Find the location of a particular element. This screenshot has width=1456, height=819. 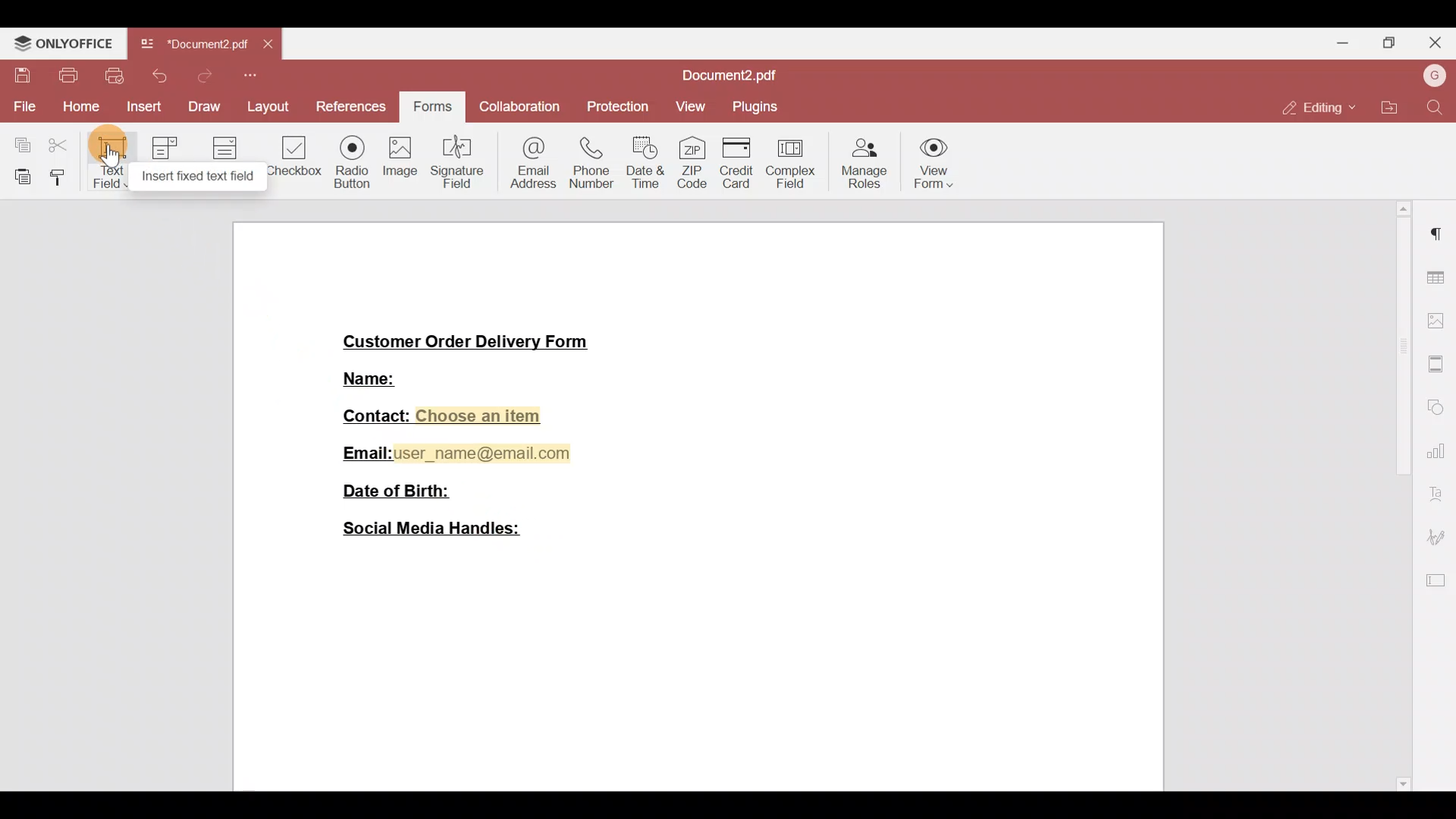

Chart settings is located at coordinates (1439, 451).